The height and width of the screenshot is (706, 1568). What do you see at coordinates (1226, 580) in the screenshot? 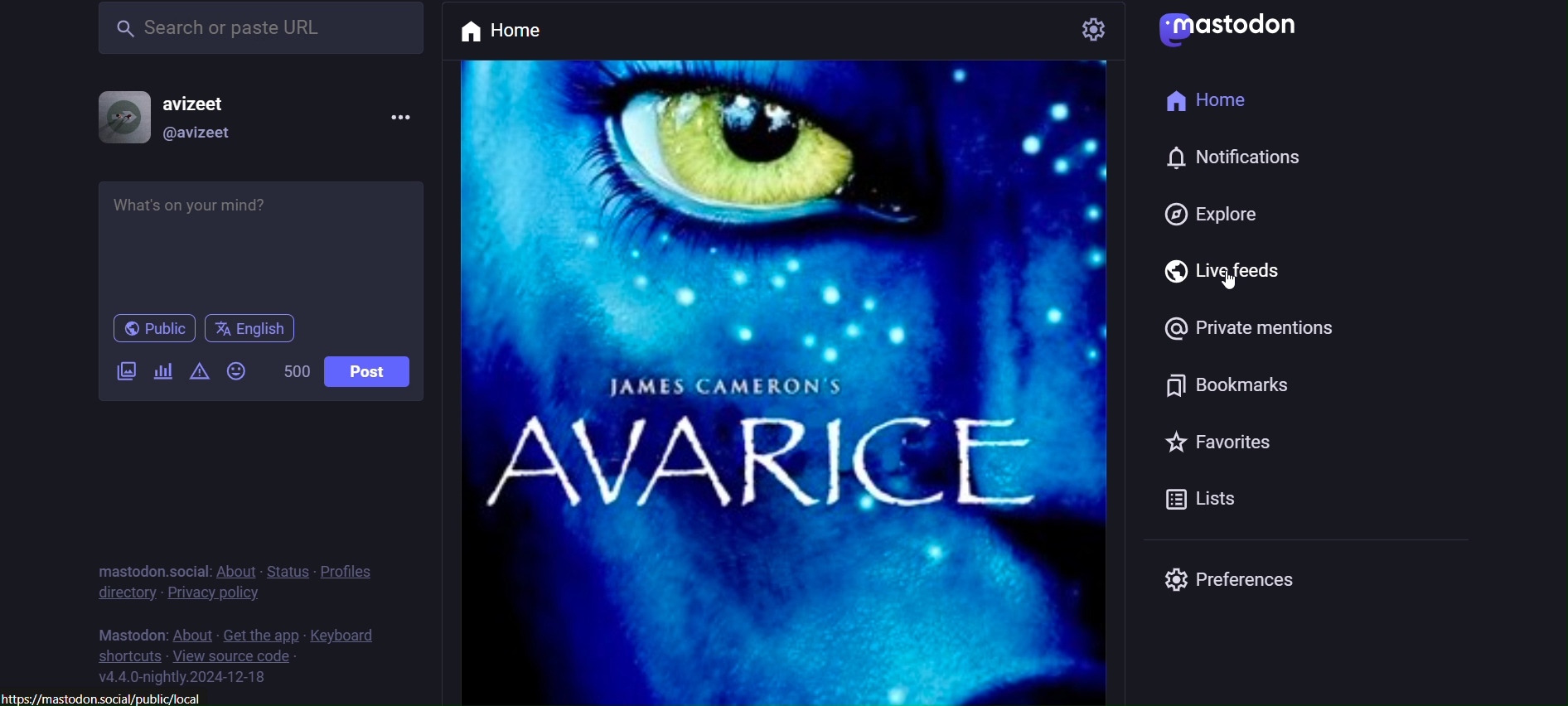
I see `preferences` at bounding box center [1226, 580].